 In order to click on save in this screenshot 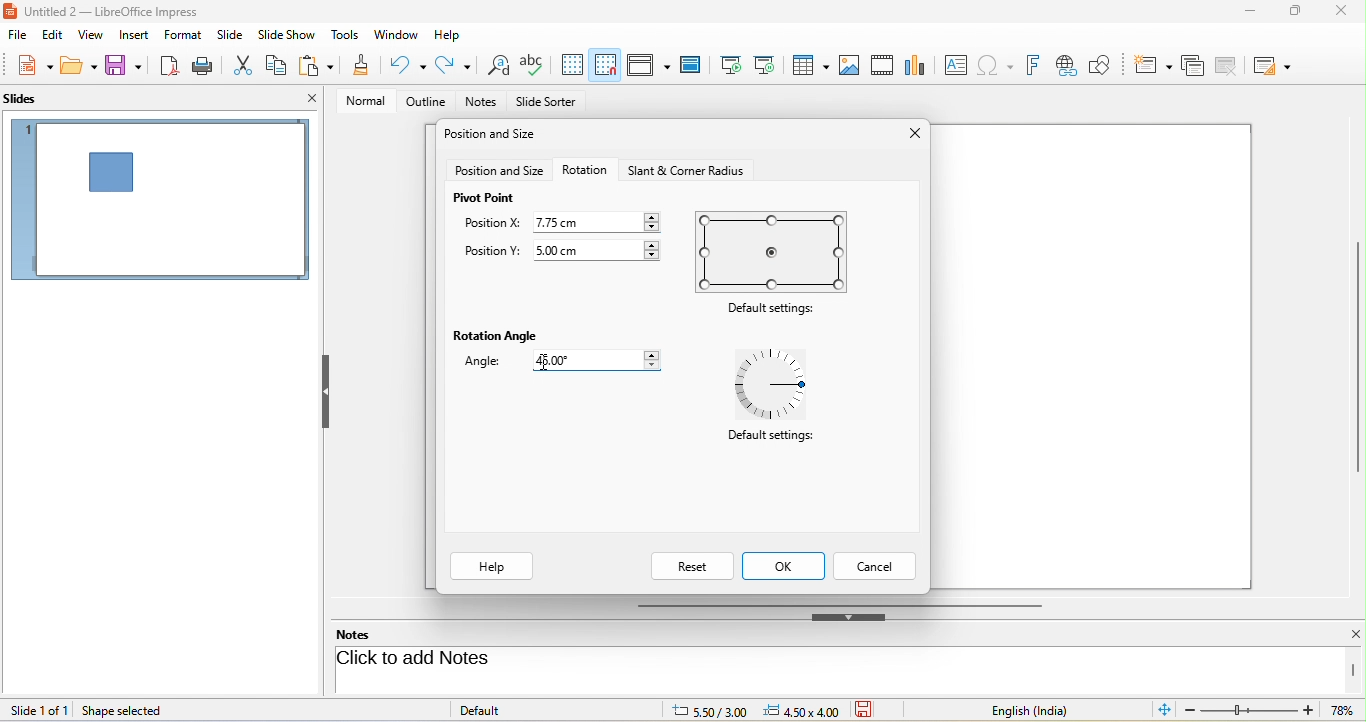, I will do `click(871, 710)`.